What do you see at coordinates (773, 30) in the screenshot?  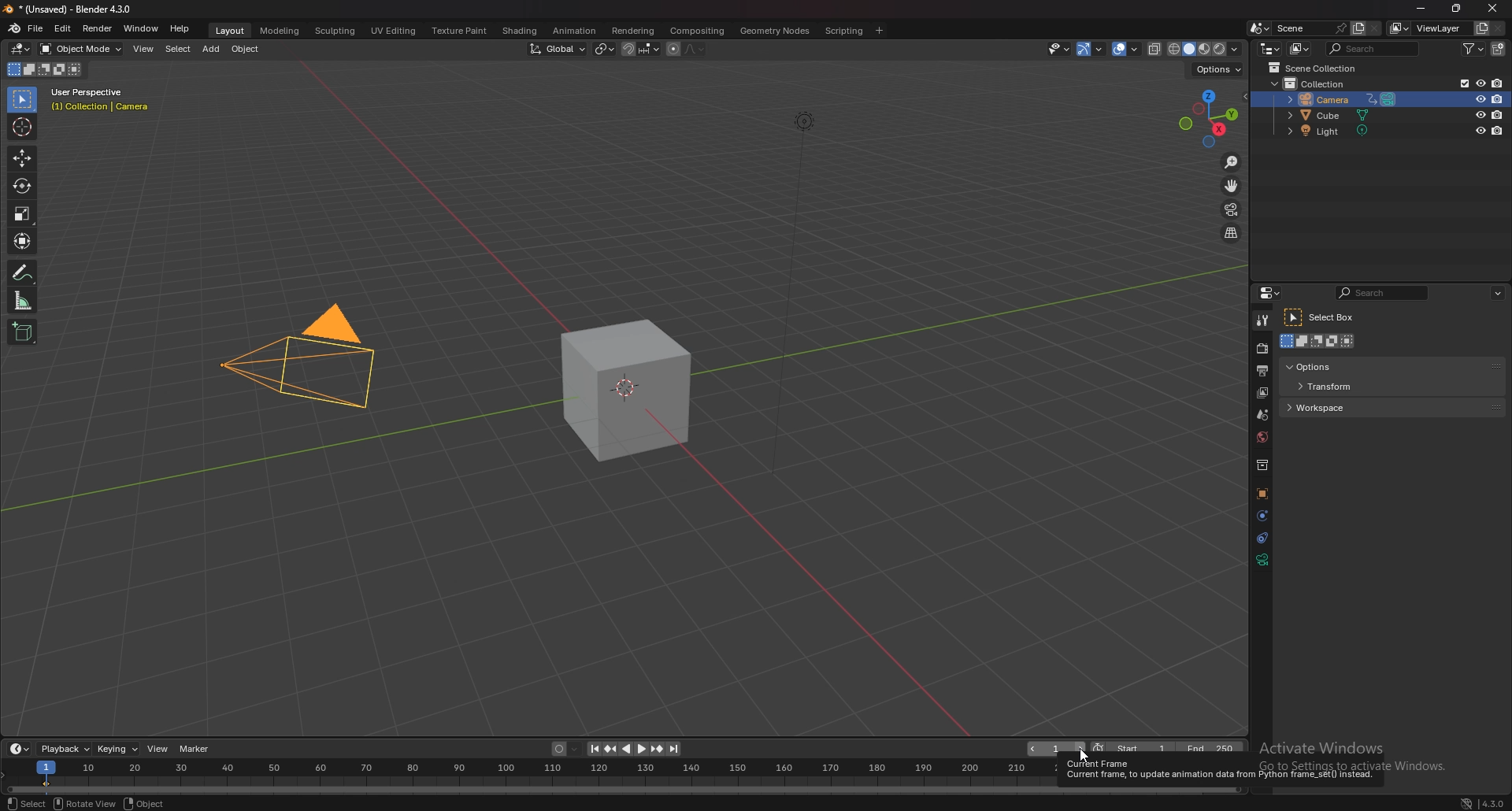 I see `geometry nodes` at bounding box center [773, 30].